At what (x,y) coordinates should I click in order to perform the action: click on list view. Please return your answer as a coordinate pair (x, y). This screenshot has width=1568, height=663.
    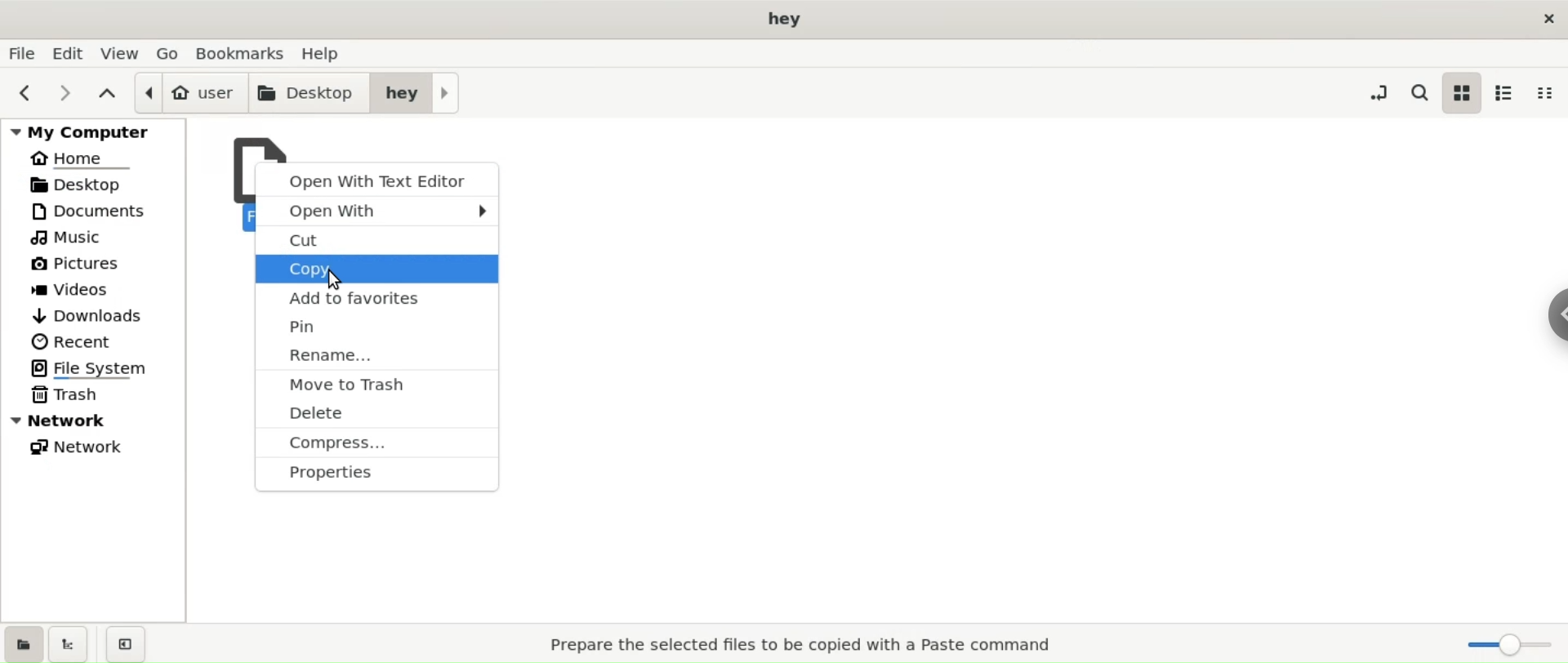
    Looking at the image, I should click on (1503, 94).